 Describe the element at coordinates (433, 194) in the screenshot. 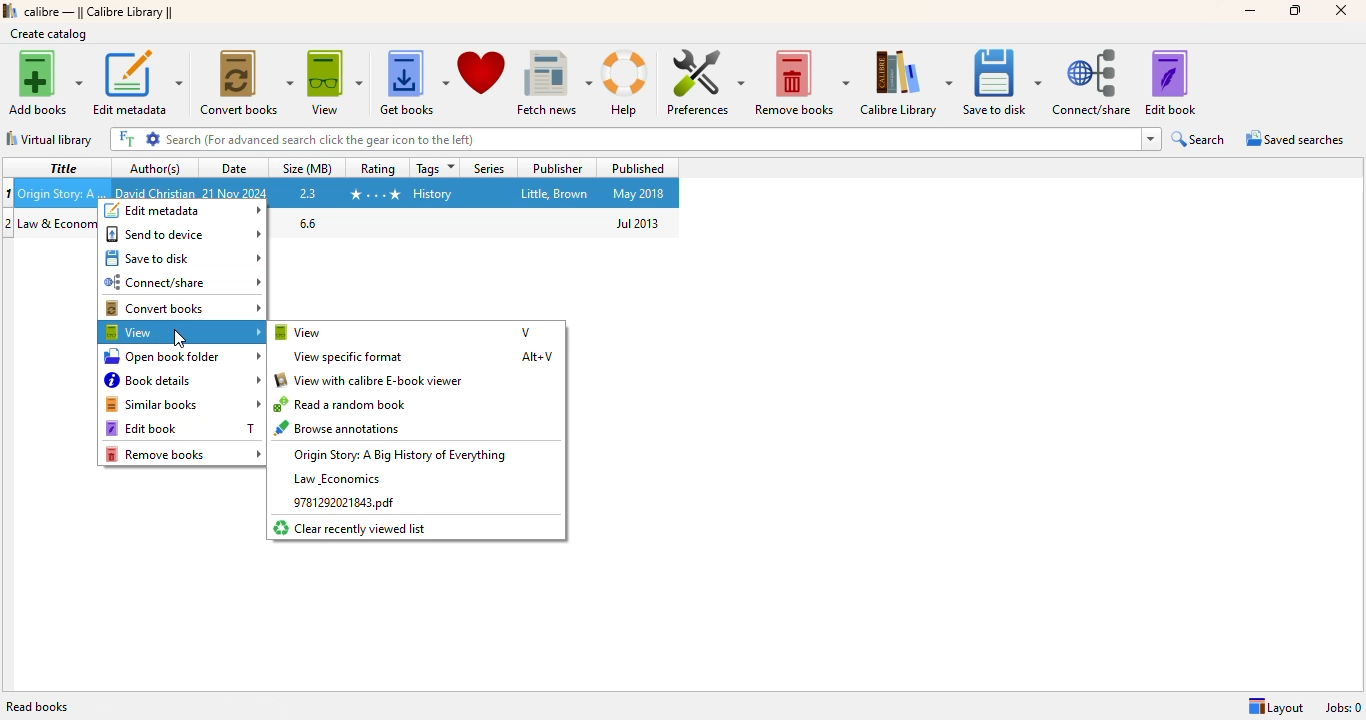

I see `tag` at that location.